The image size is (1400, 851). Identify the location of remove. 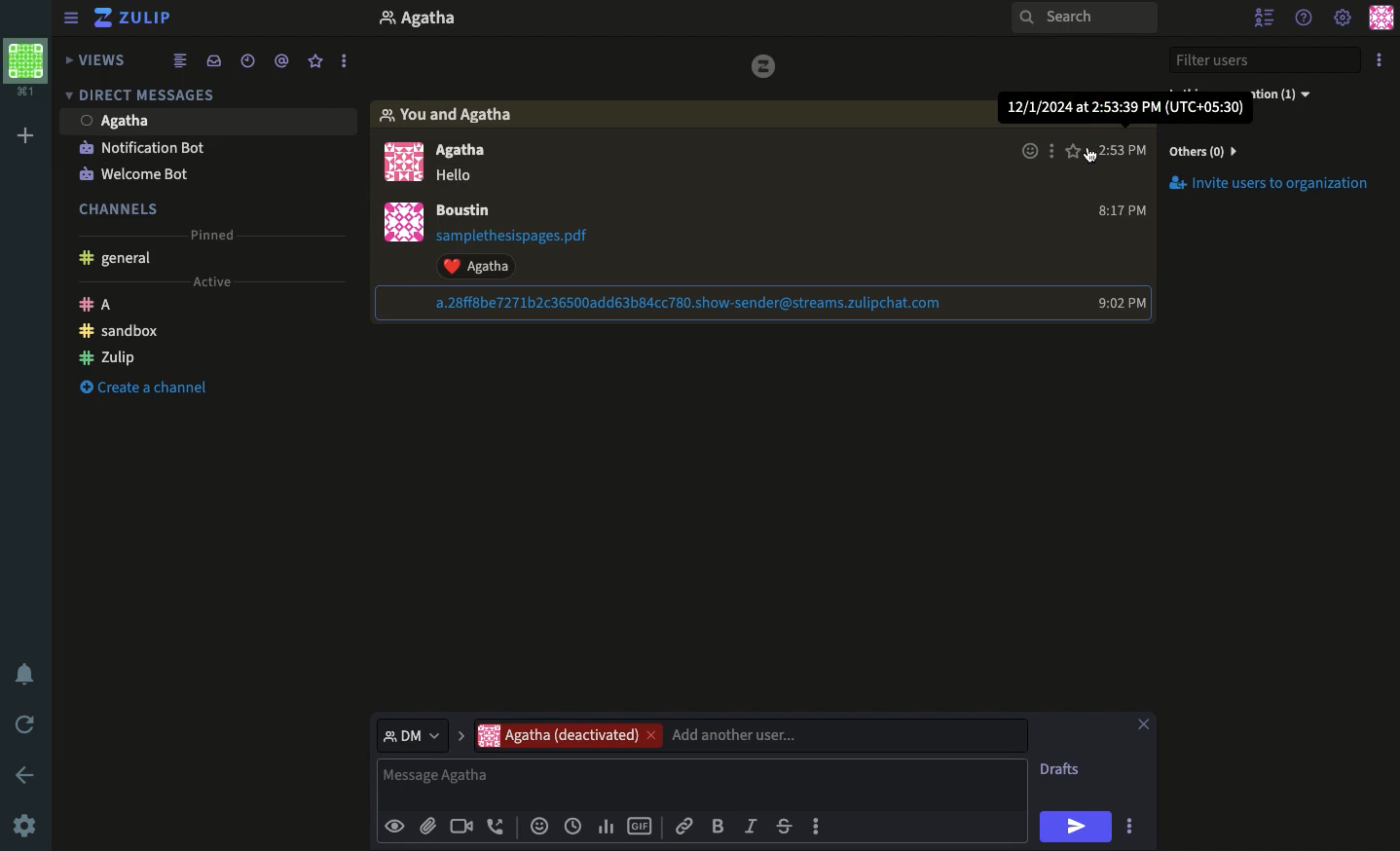
(648, 736).